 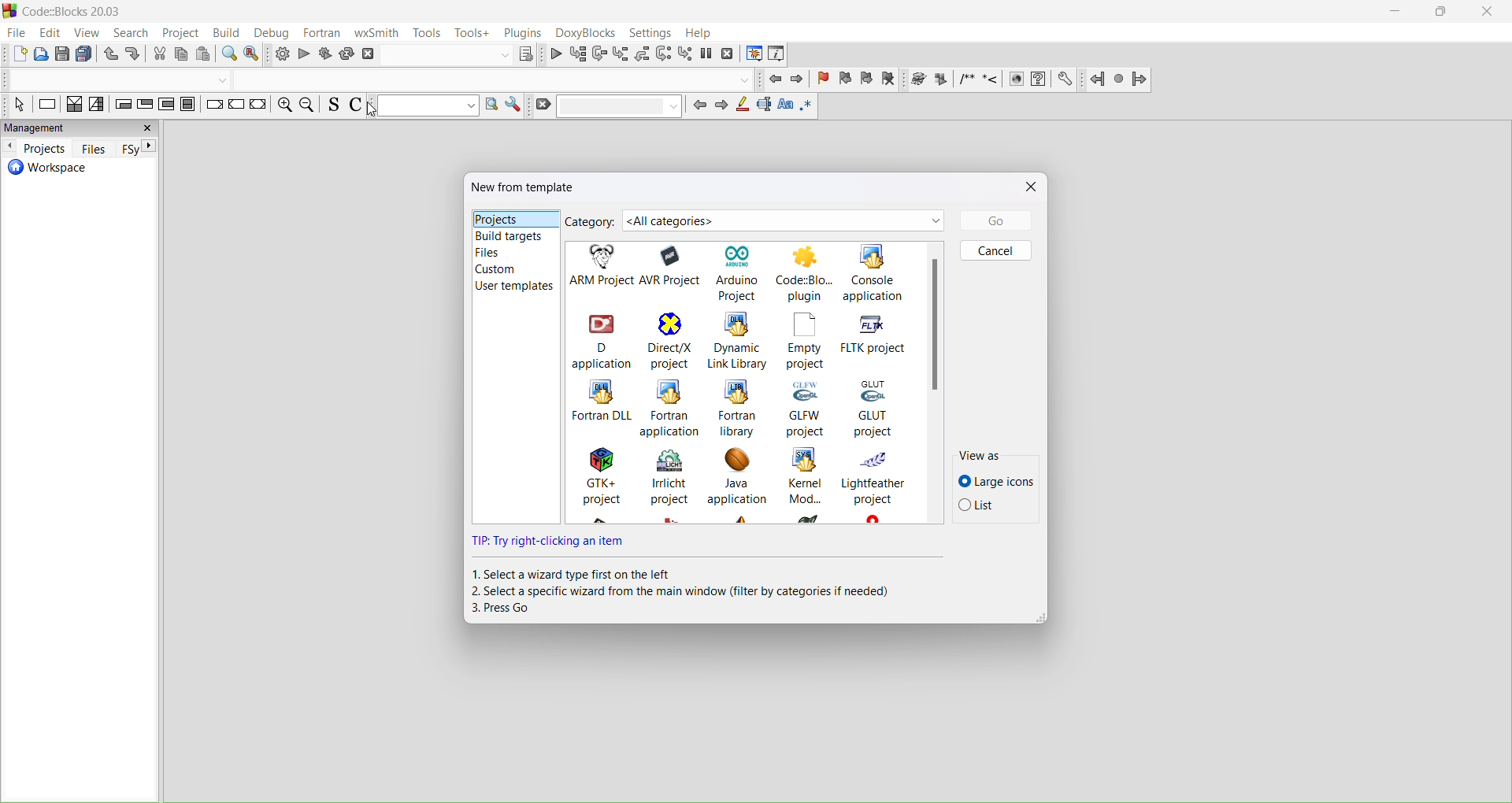 I want to click on direct/x project, so click(x=668, y=341).